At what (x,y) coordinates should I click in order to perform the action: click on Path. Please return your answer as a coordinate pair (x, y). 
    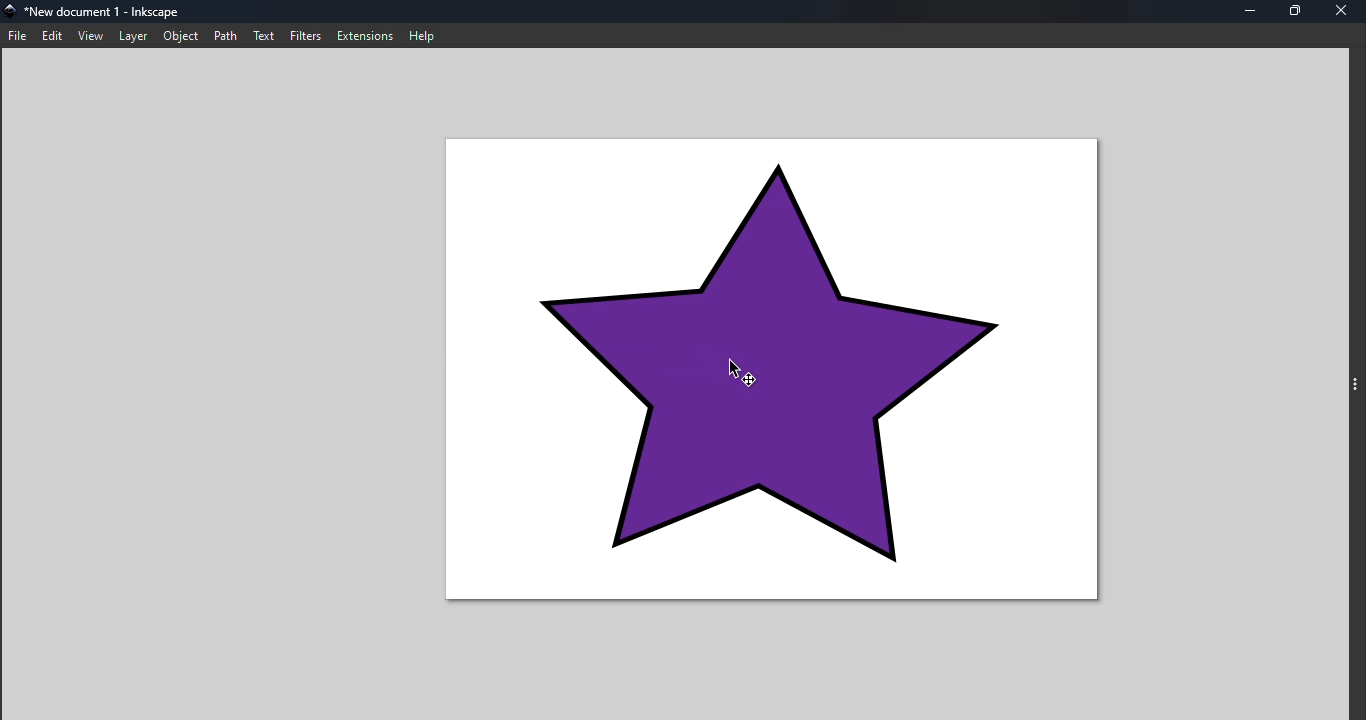
    Looking at the image, I should click on (225, 35).